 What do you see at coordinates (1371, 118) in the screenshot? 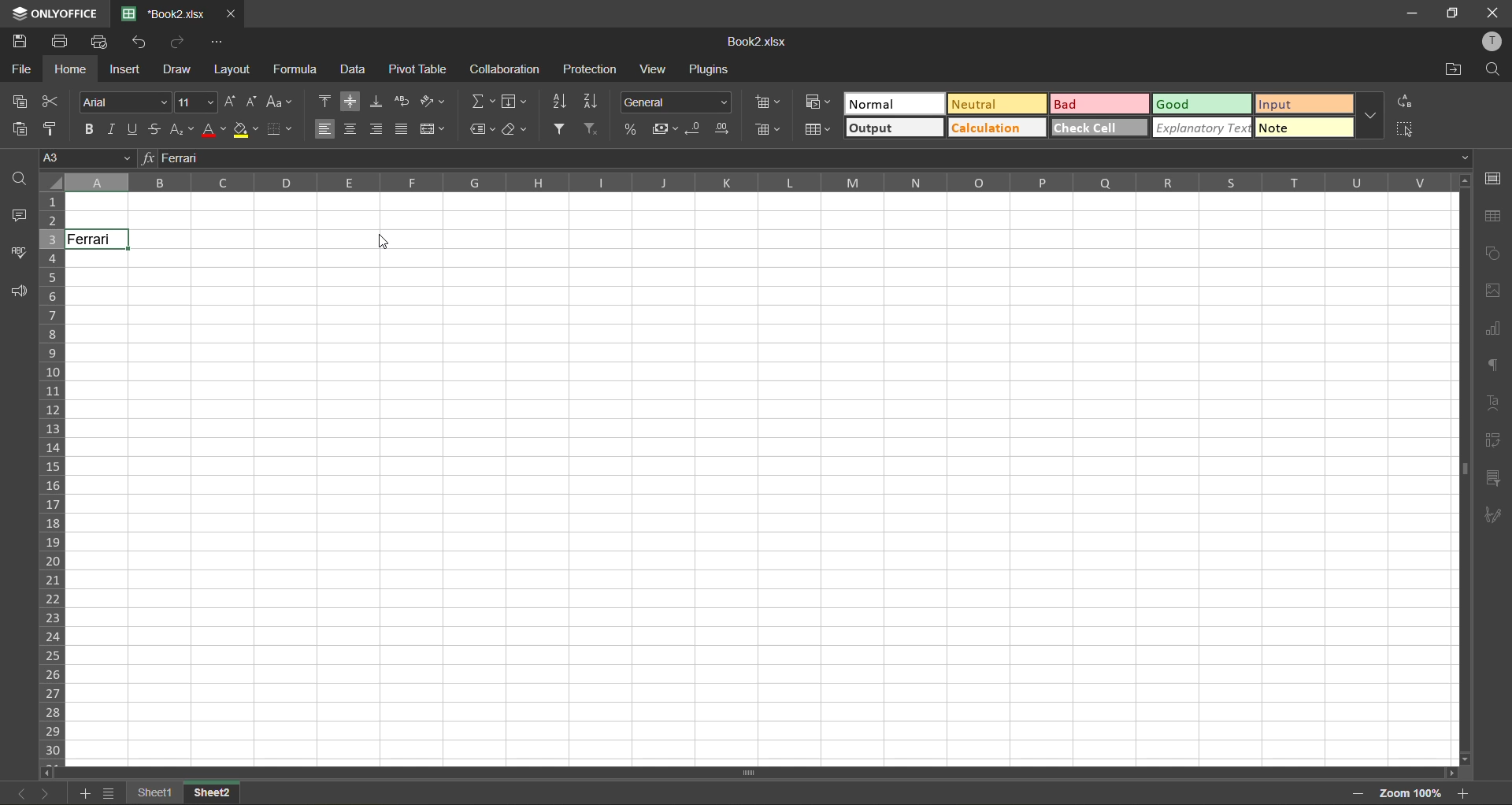
I see `more options` at bounding box center [1371, 118].